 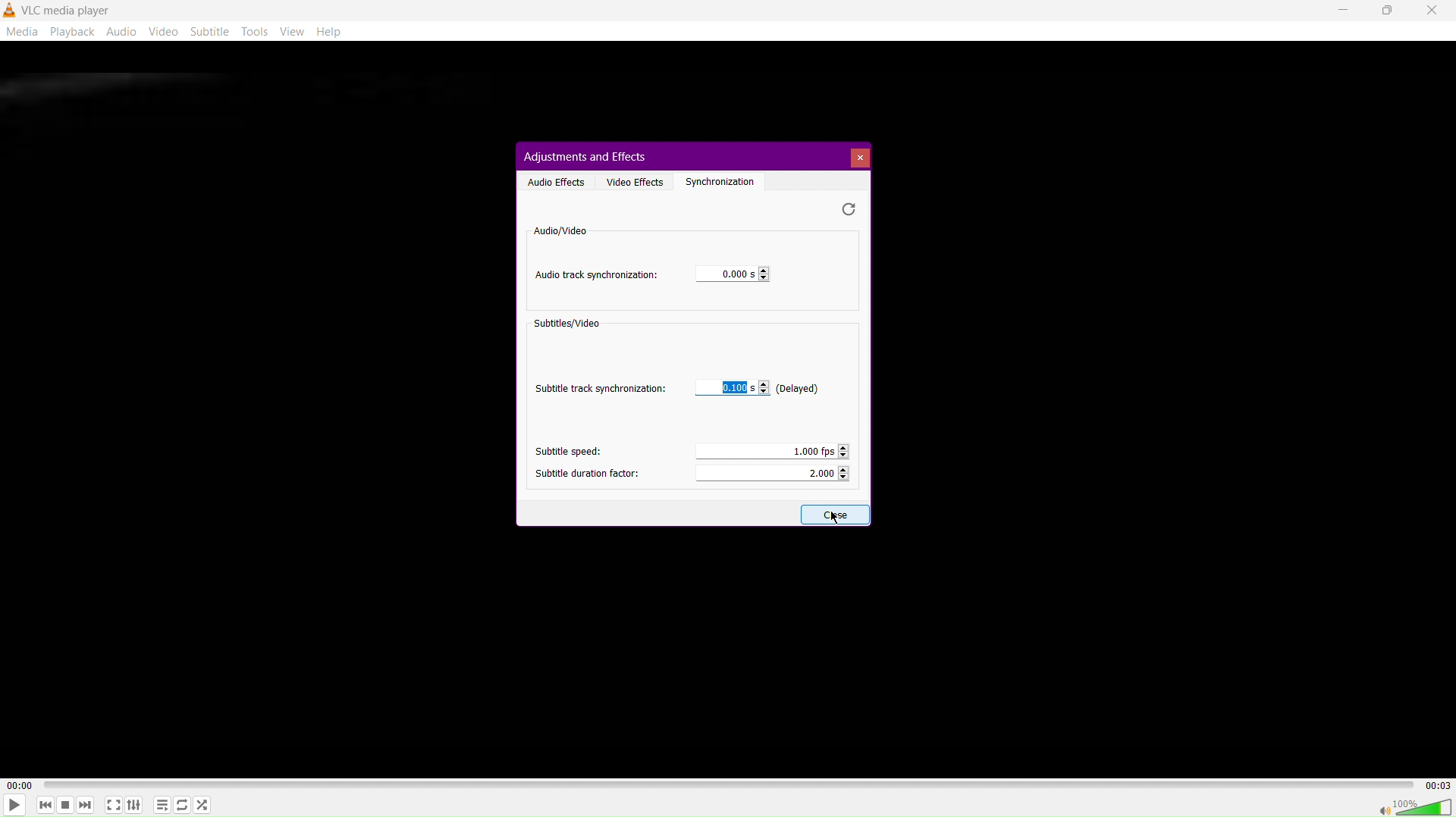 What do you see at coordinates (729, 784) in the screenshot?
I see `timeline` at bounding box center [729, 784].